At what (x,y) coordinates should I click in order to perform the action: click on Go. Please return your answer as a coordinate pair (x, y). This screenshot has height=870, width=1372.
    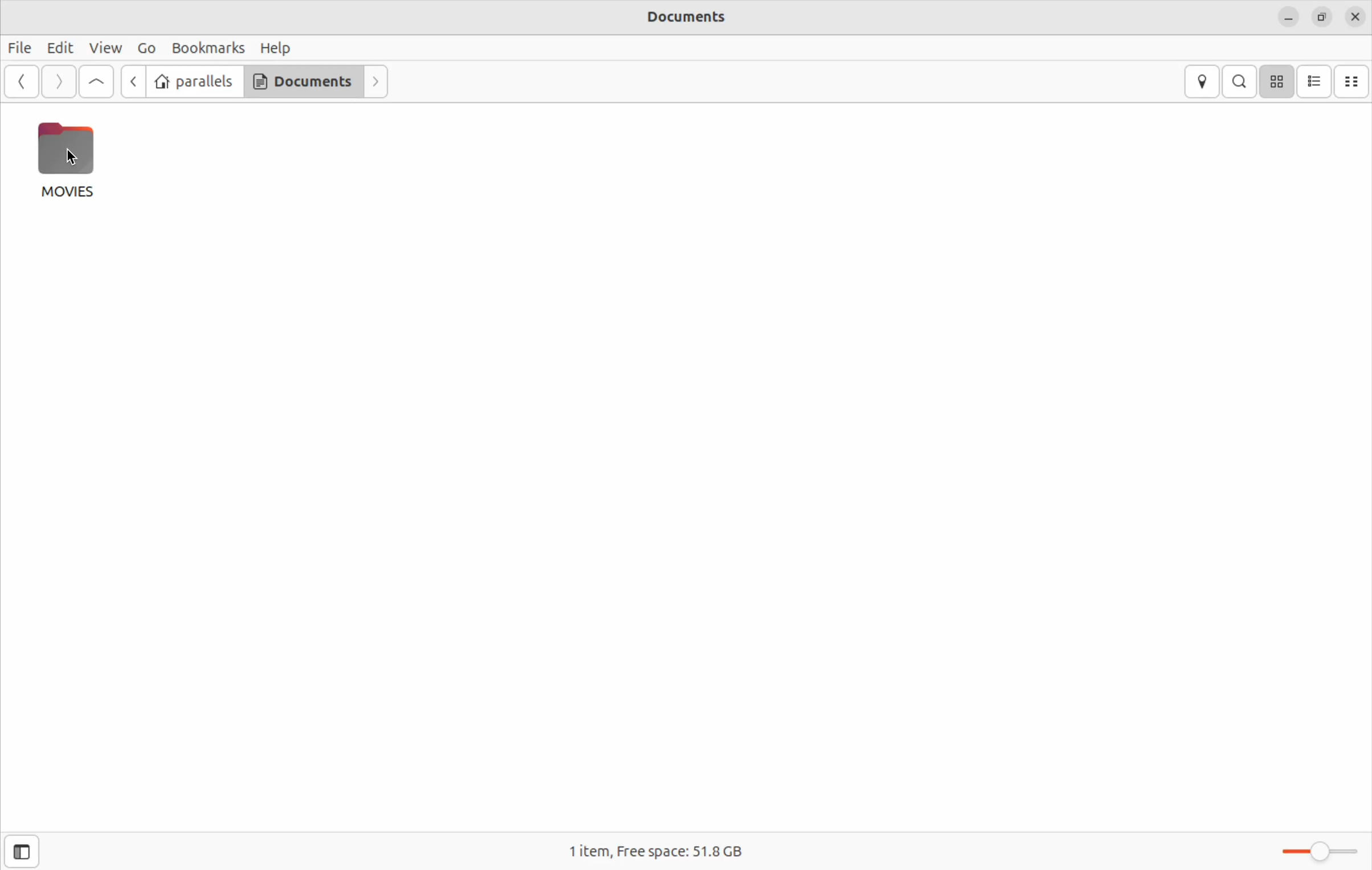
    Looking at the image, I should click on (147, 47).